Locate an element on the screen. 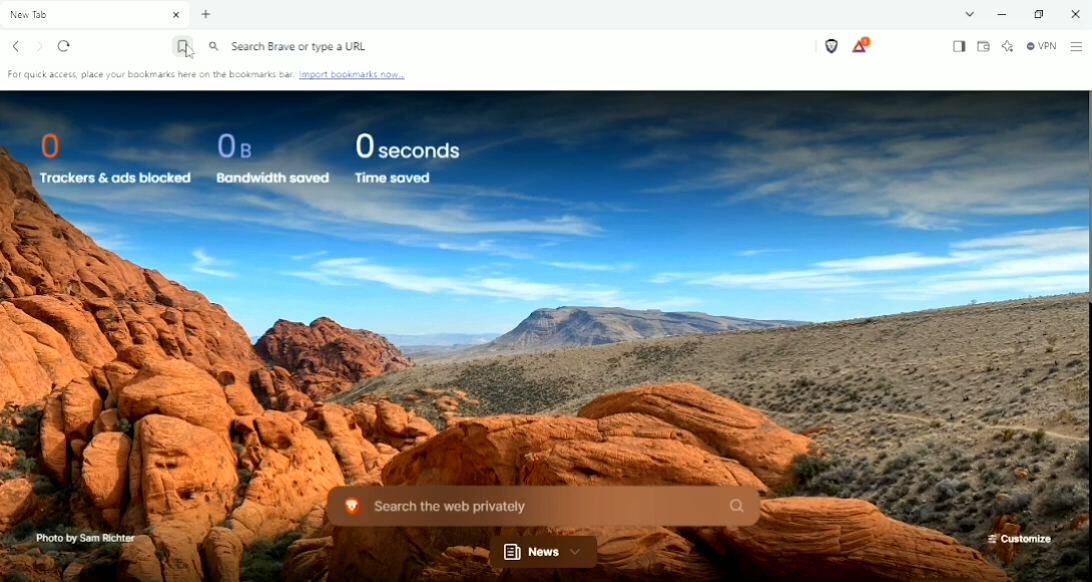 This screenshot has width=1092, height=582. 0 Trackers & ads blocked is located at coordinates (106, 156).